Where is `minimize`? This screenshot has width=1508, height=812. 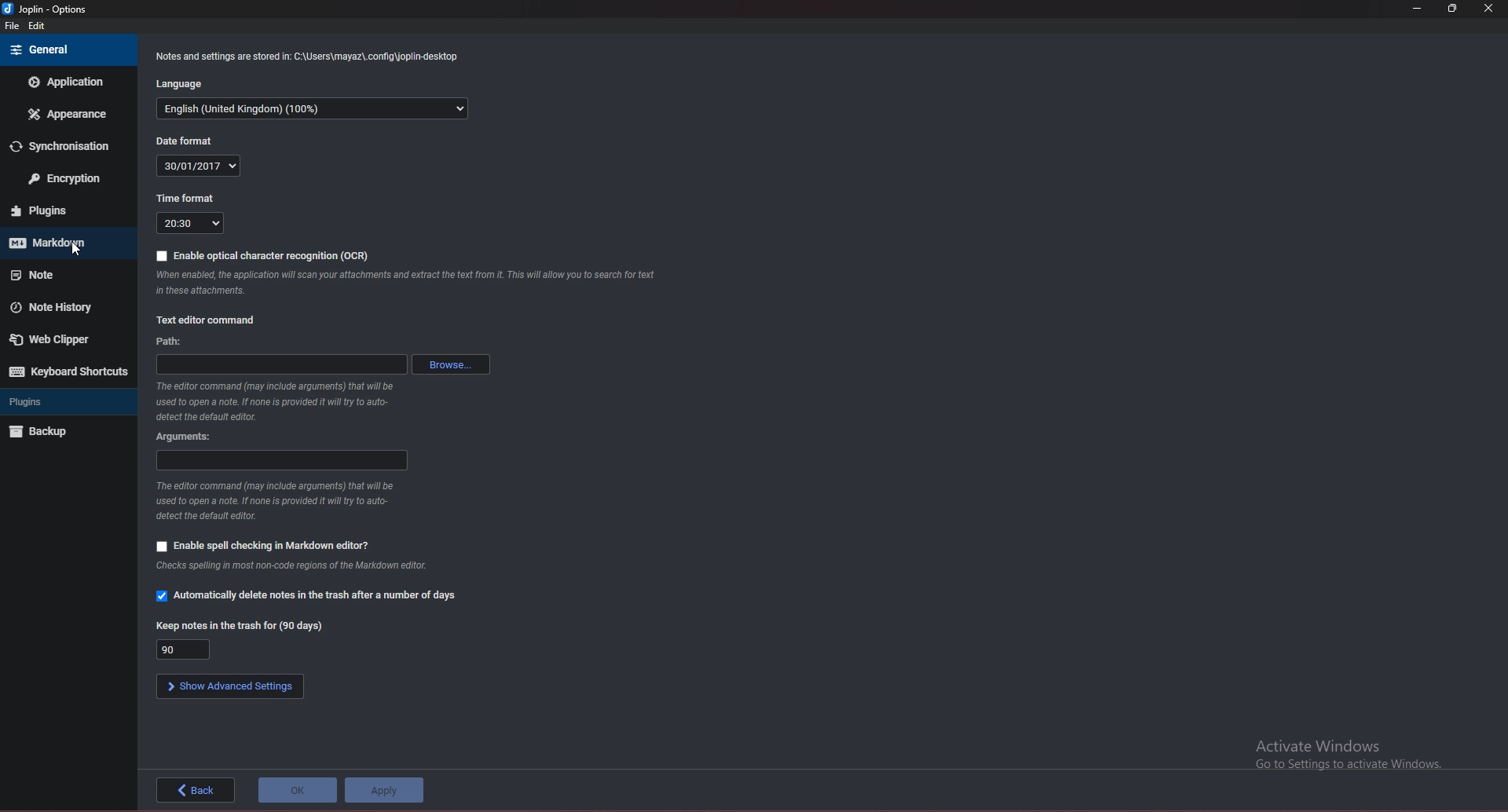
minimize is located at coordinates (1420, 9).